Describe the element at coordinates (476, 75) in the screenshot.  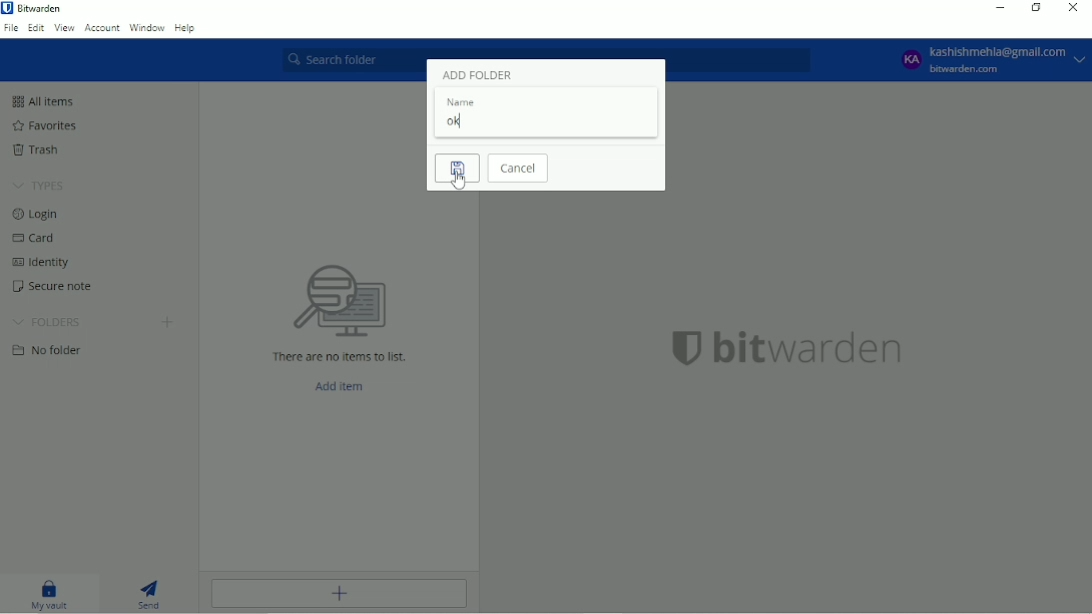
I see `Add Folder` at that location.